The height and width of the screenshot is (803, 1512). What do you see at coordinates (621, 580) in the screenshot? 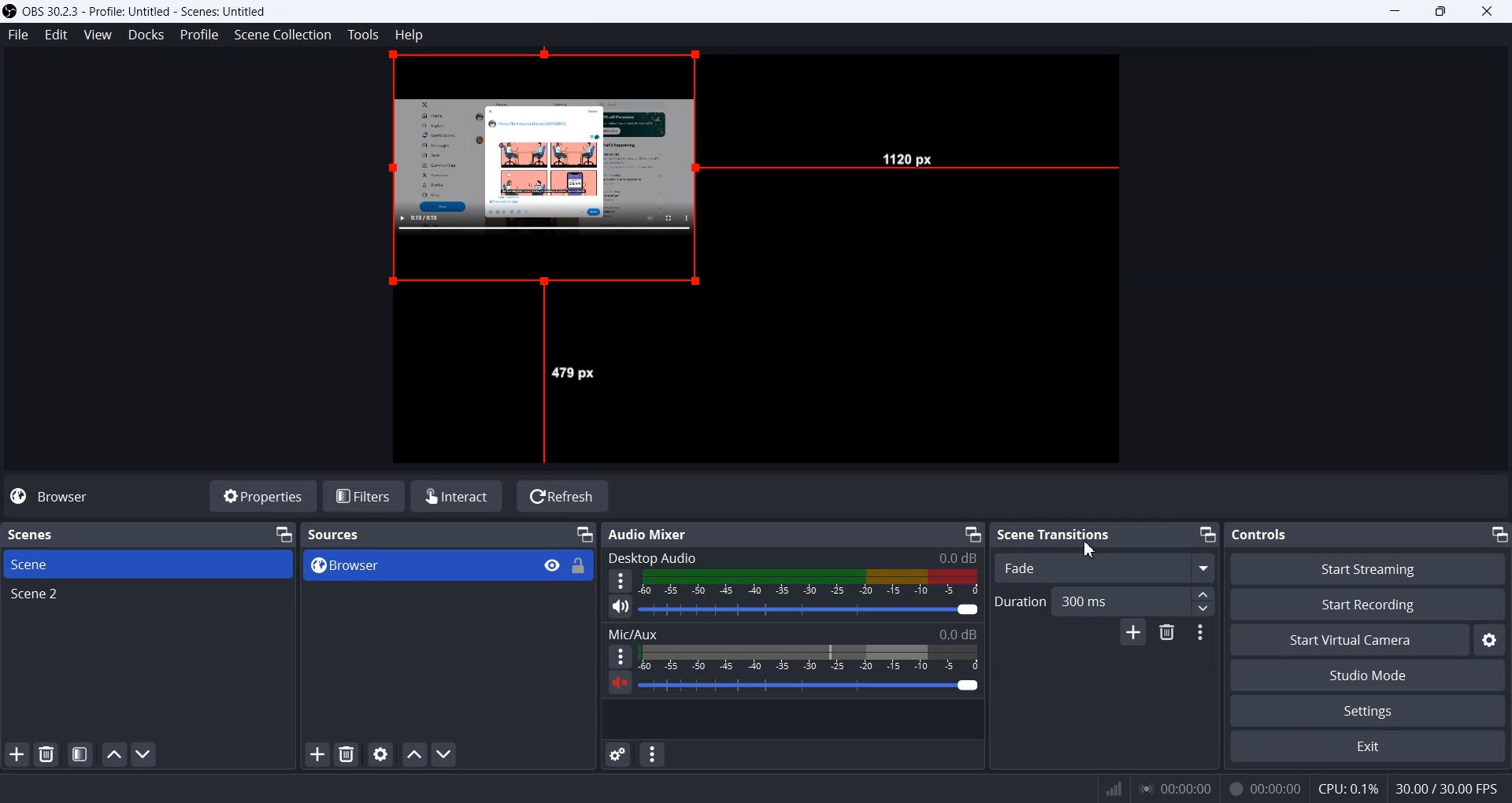
I see `More` at bounding box center [621, 580].